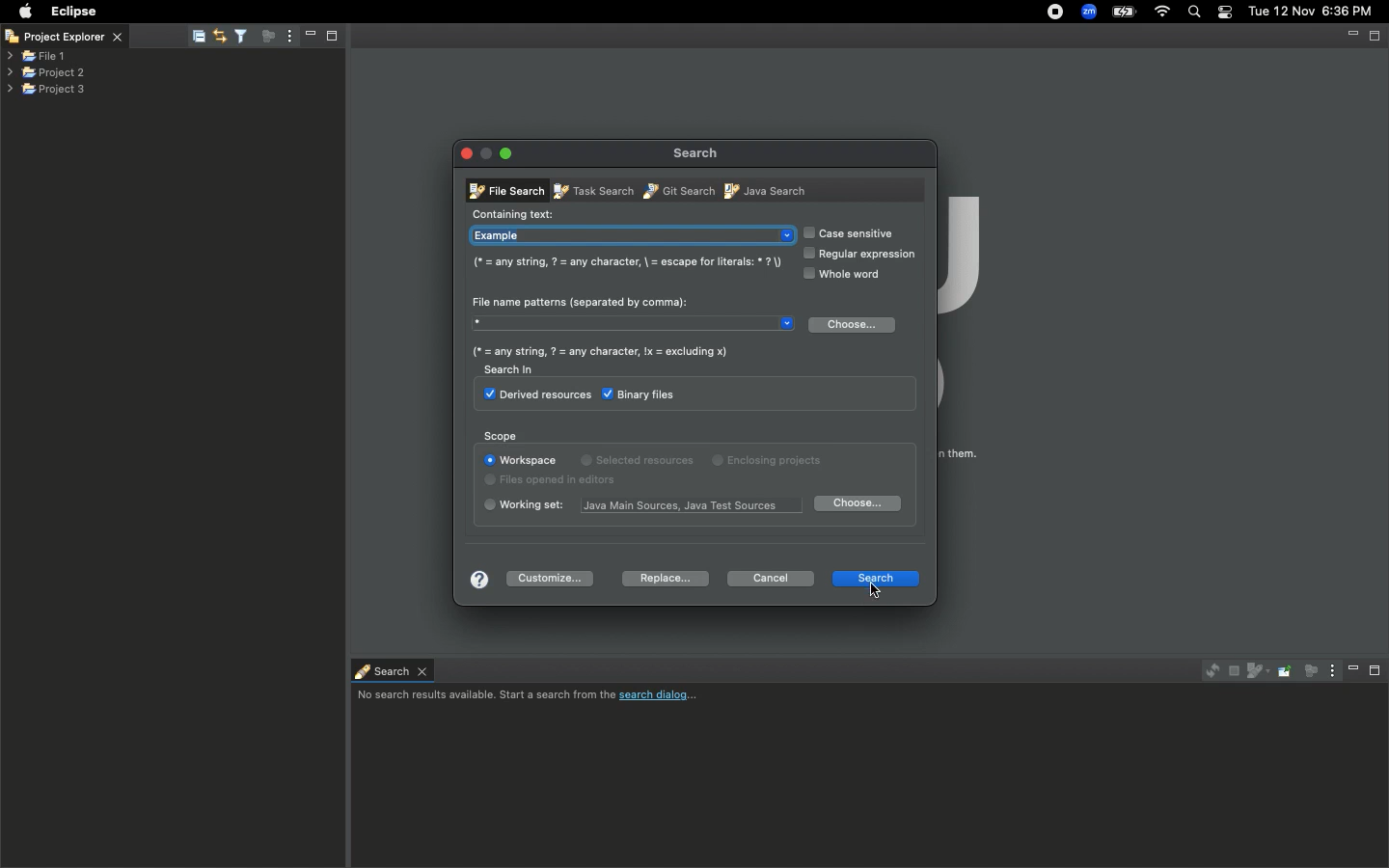 The height and width of the screenshot is (868, 1389). Describe the element at coordinates (522, 461) in the screenshot. I see `Workspace` at that location.